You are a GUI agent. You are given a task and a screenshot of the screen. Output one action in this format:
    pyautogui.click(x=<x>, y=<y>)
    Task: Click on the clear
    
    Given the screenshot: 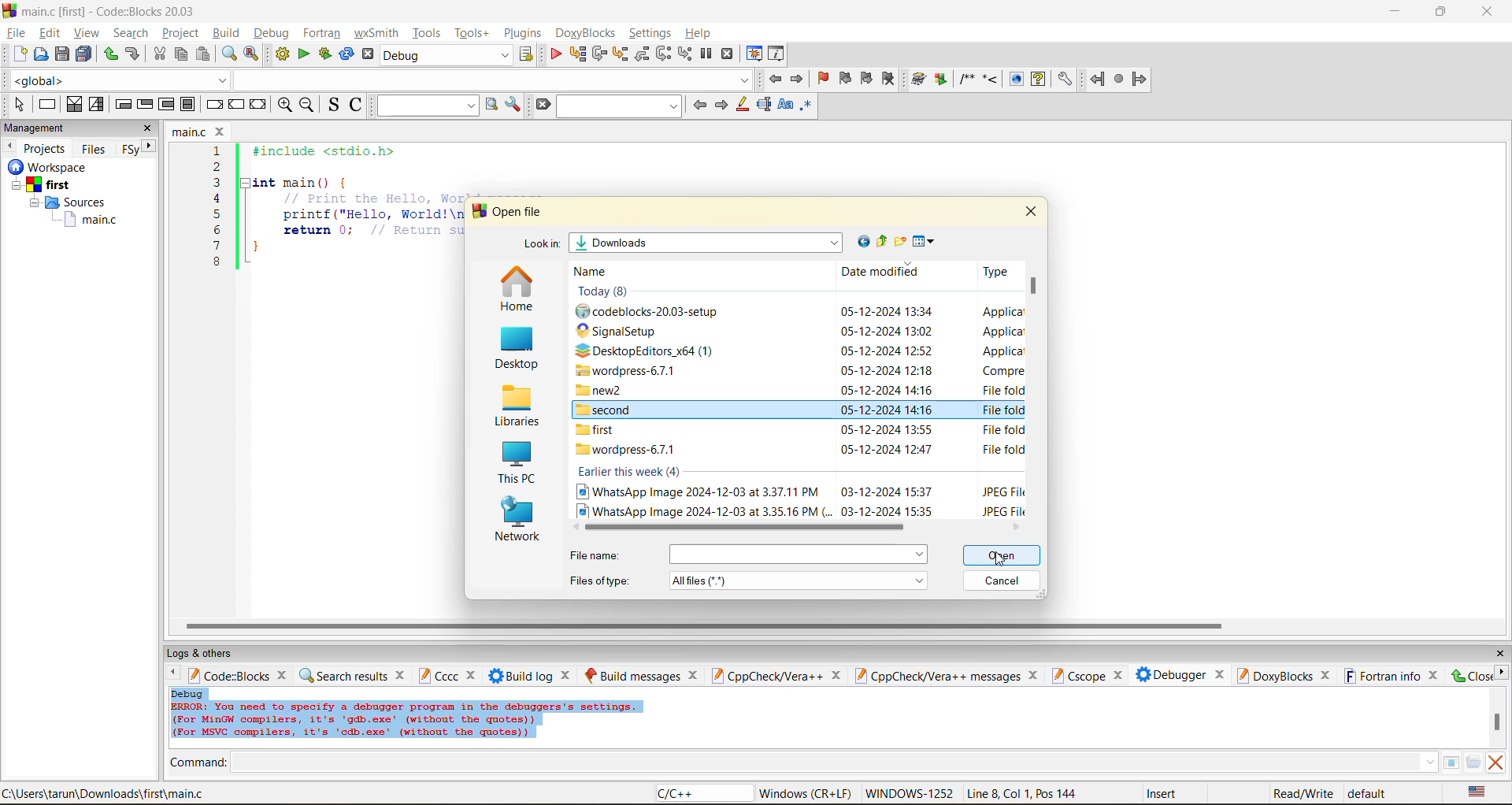 What is the action you would take?
    pyautogui.click(x=542, y=105)
    